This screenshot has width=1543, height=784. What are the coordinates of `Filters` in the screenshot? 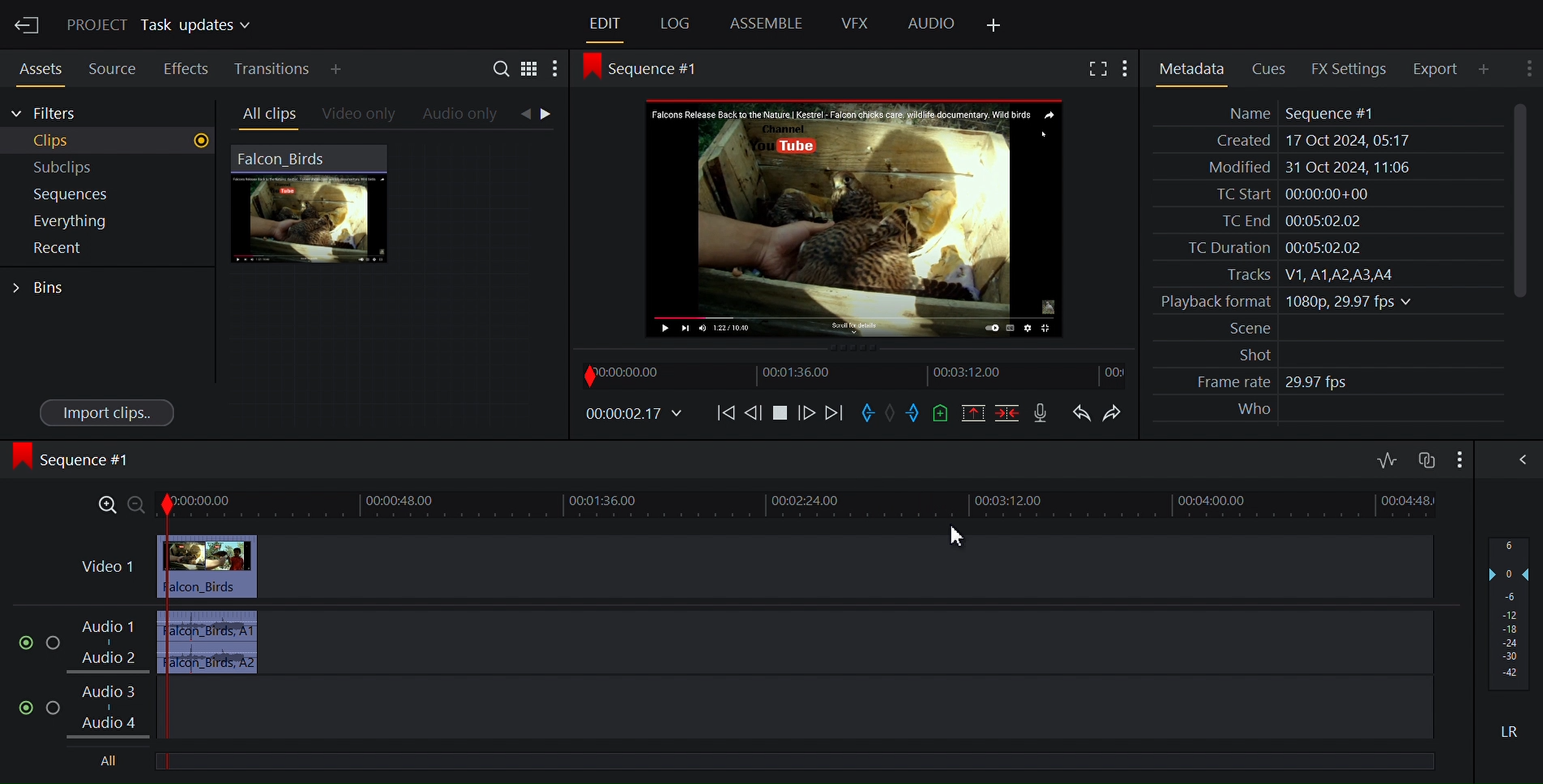 It's located at (46, 114).